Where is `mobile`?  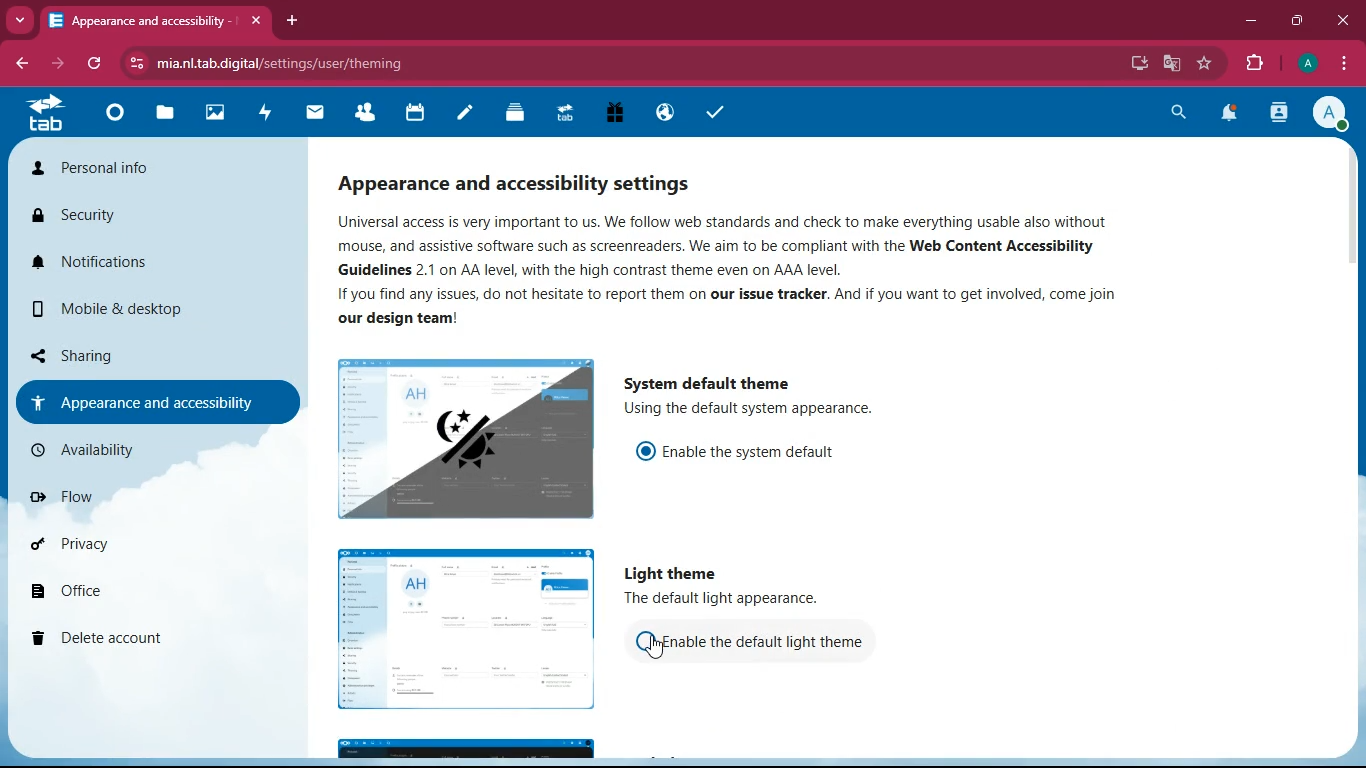 mobile is located at coordinates (164, 313).